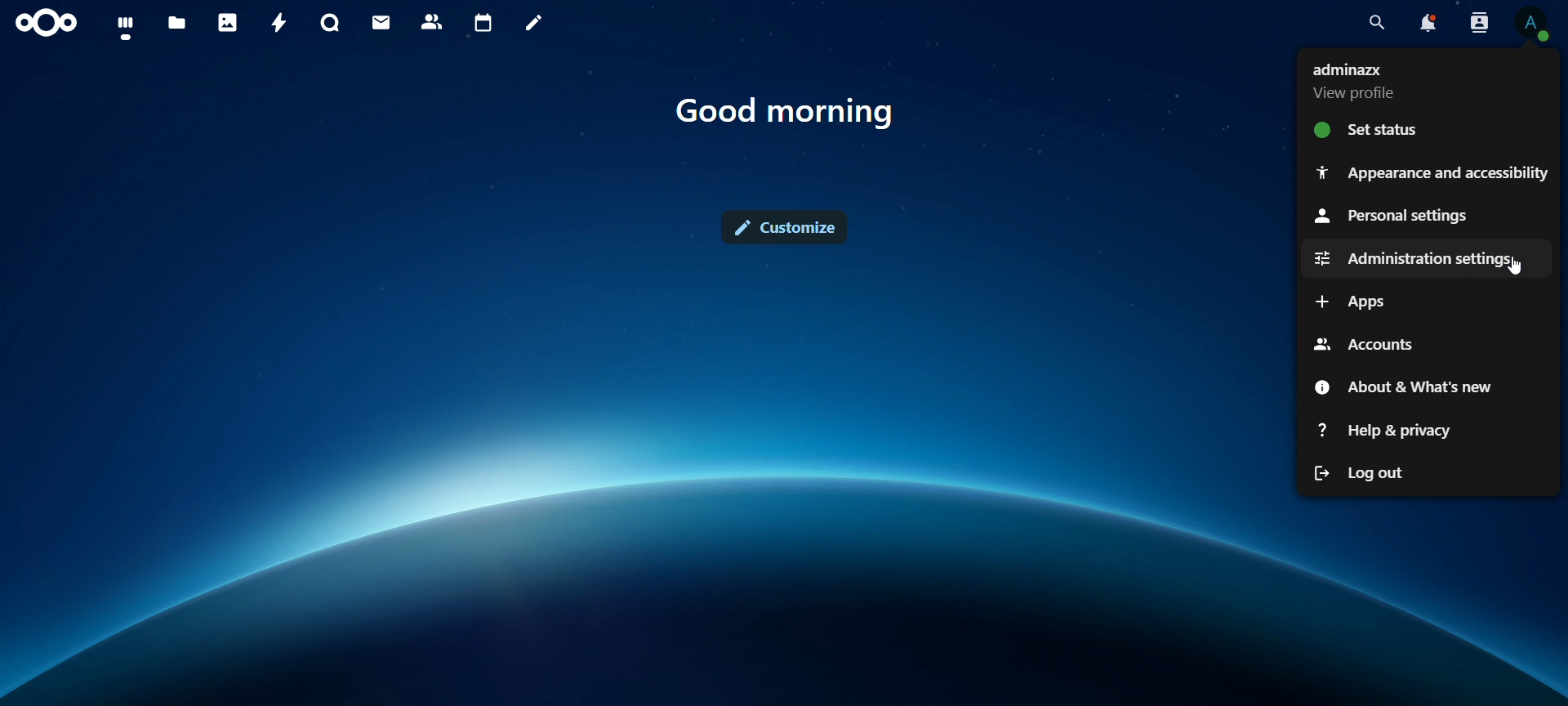 This screenshot has height=706, width=1568. I want to click on about & what's new, so click(1401, 386).